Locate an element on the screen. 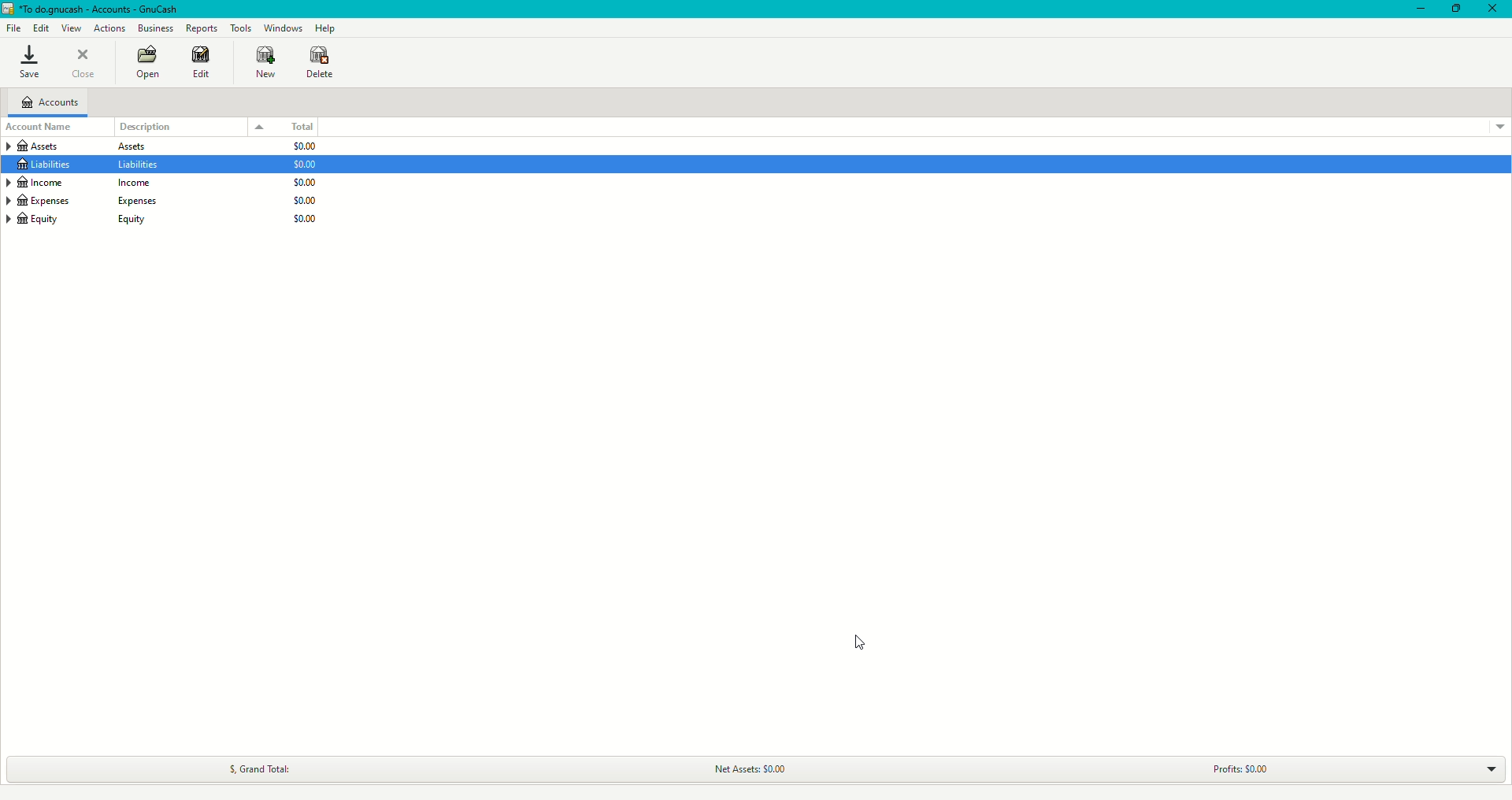  Net Assets is located at coordinates (749, 769).